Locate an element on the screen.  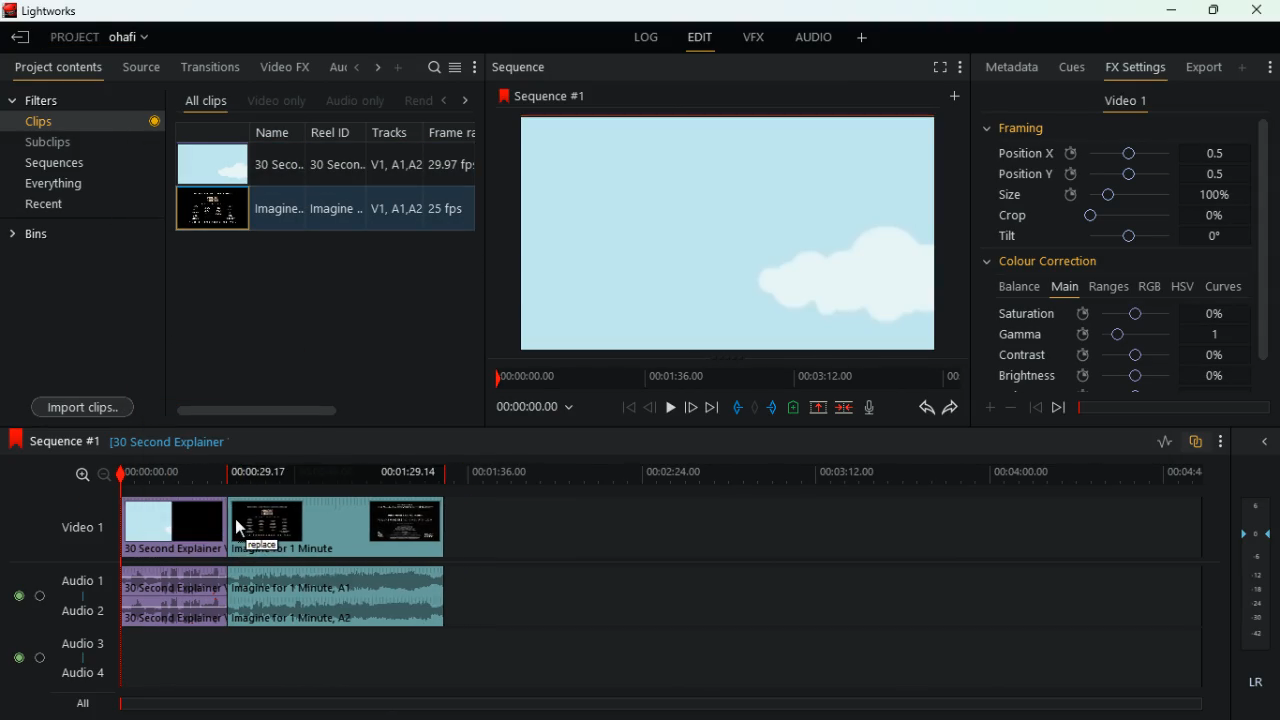
zoom is located at coordinates (90, 475).